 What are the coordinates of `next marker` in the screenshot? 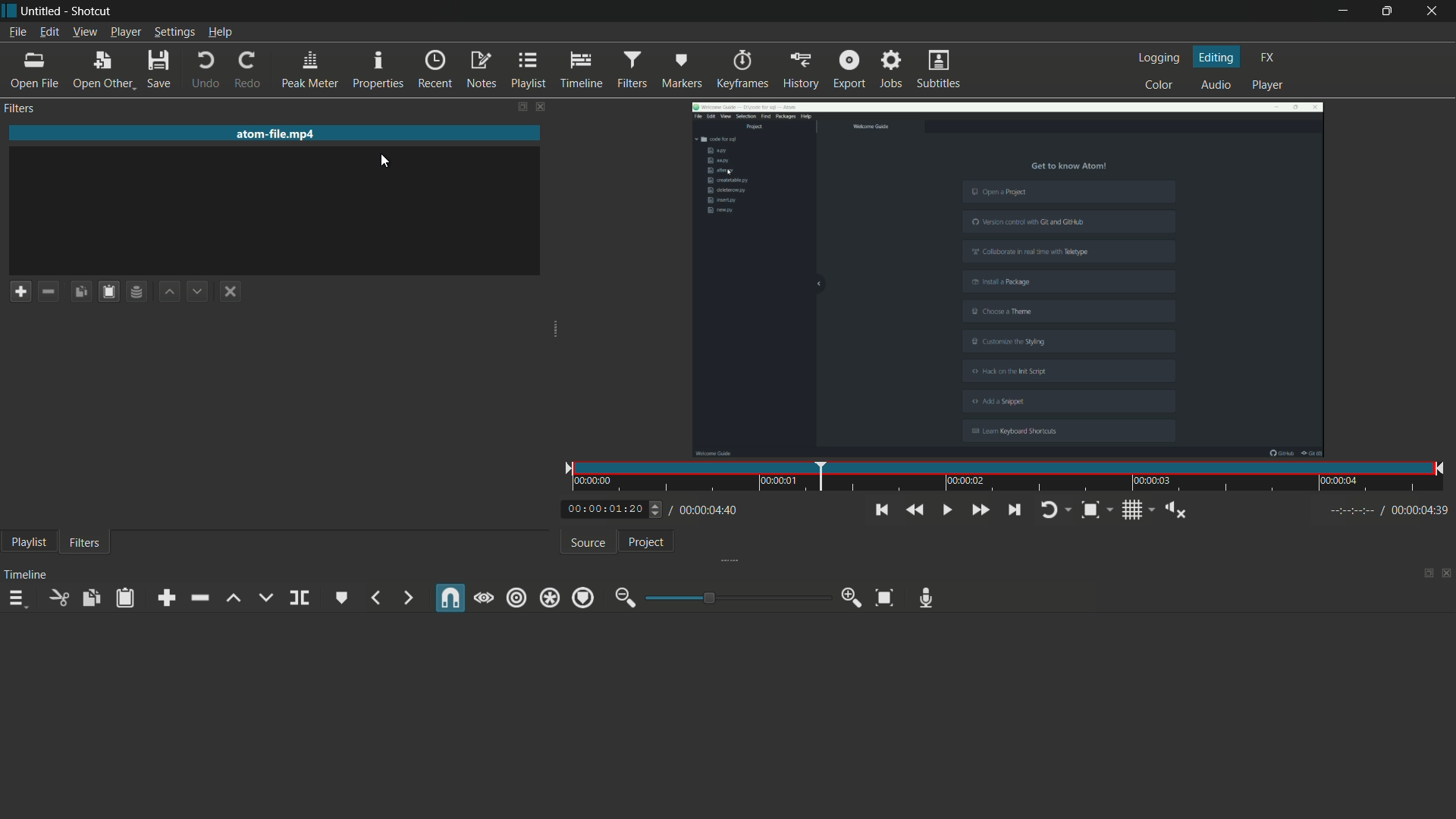 It's located at (407, 597).